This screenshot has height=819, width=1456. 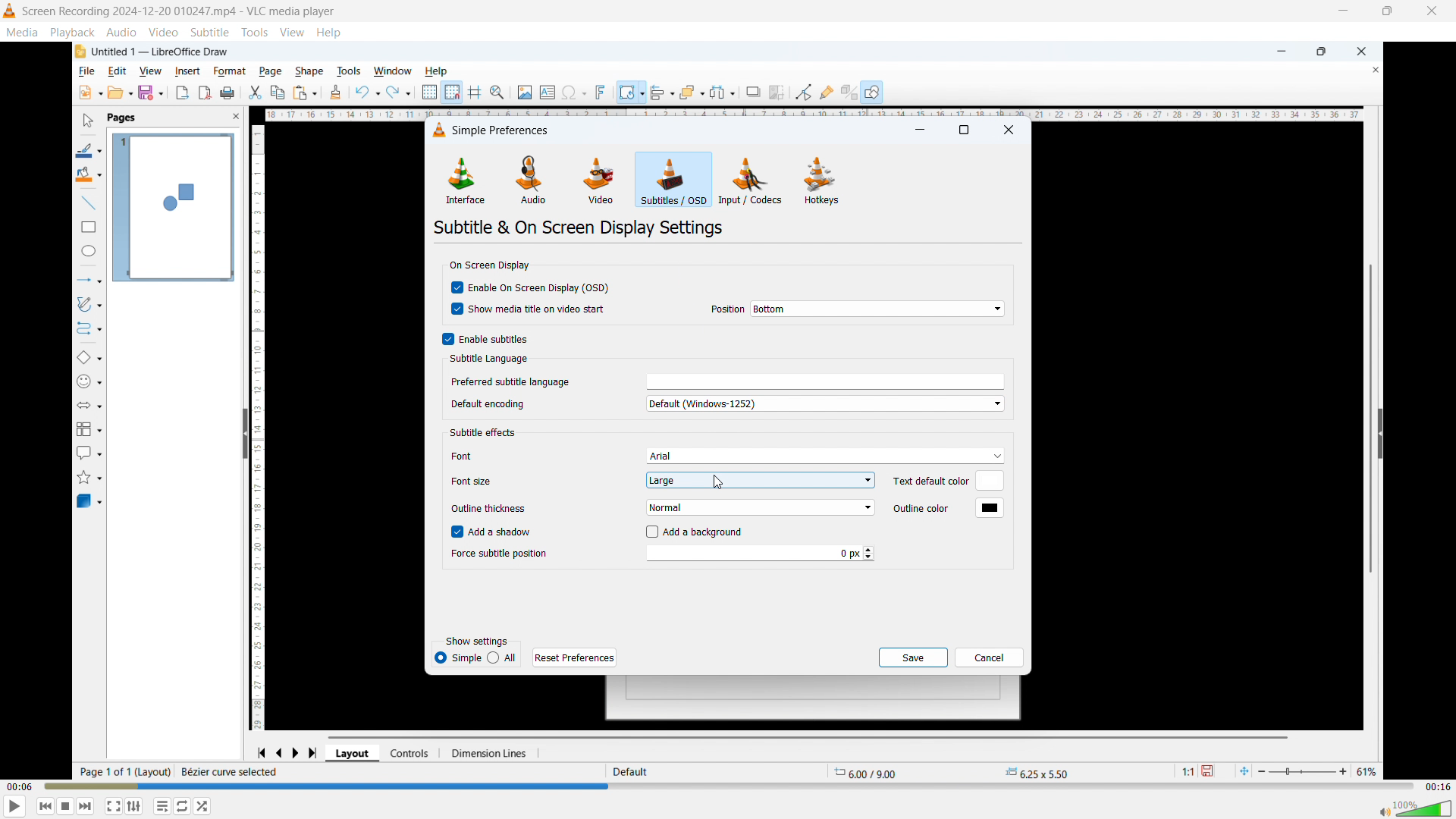 I want to click on cancel, so click(x=989, y=657).